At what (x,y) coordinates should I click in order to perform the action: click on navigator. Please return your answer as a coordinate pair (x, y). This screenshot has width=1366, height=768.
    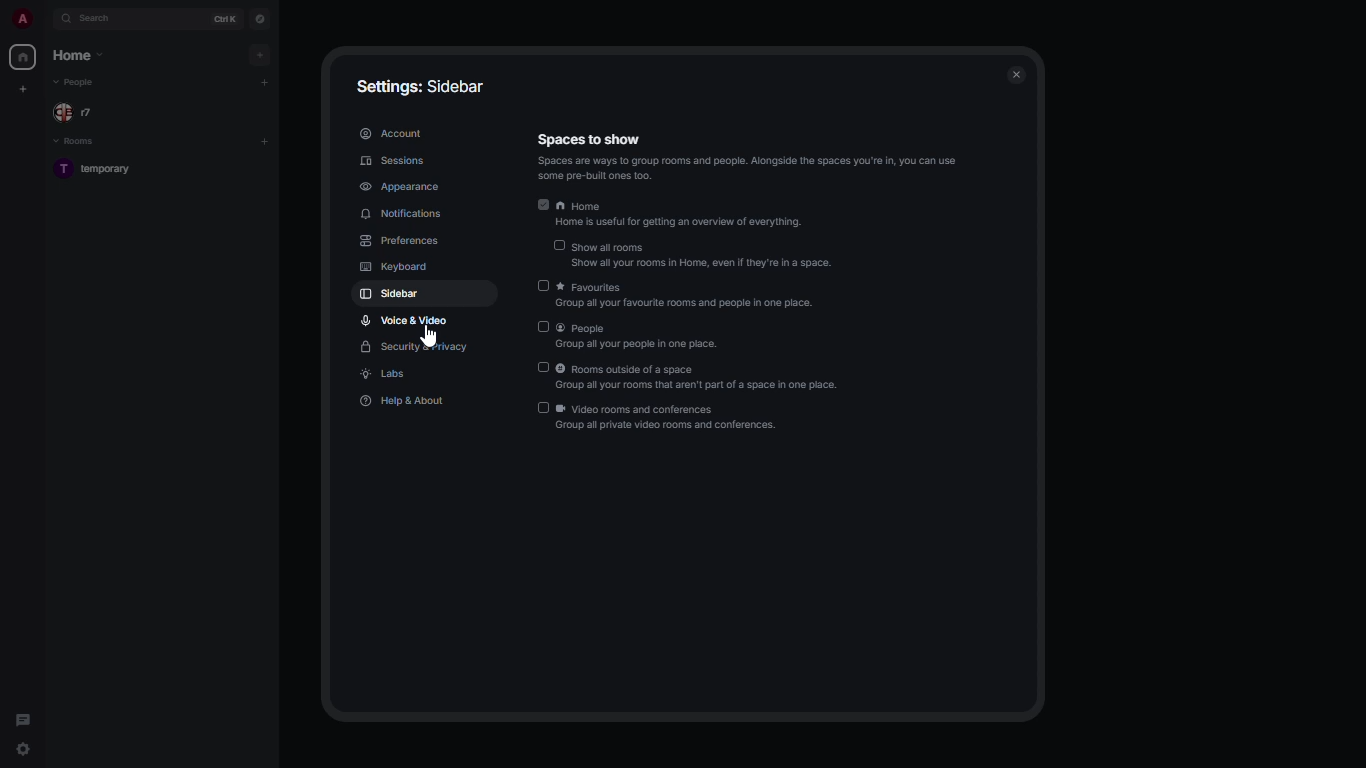
    Looking at the image, I should click on (262, 18).